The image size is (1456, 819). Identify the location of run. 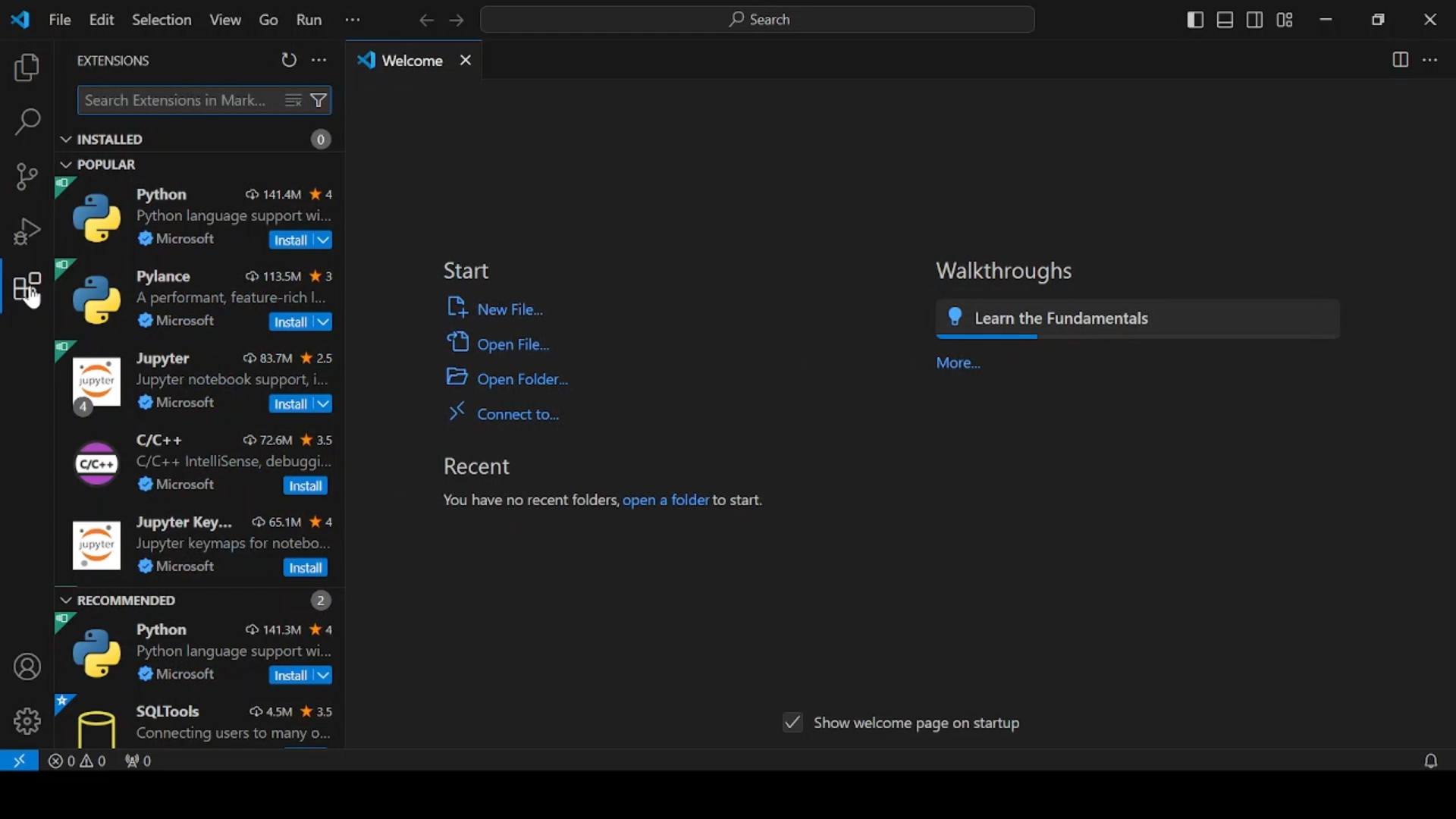
(309, 20).